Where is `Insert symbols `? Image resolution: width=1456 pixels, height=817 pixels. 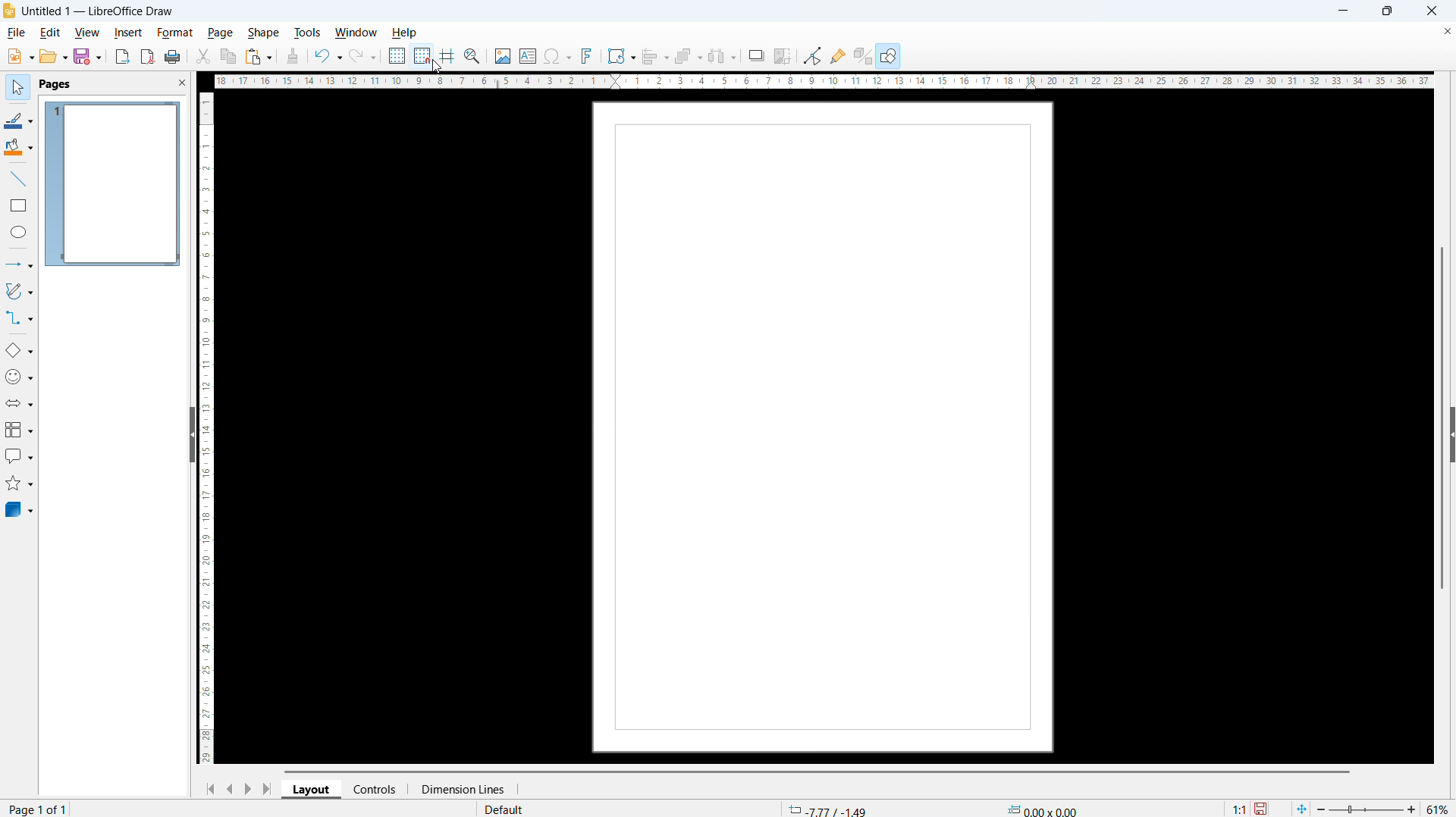 Insert symbols  is located at coordinates (560, 55).